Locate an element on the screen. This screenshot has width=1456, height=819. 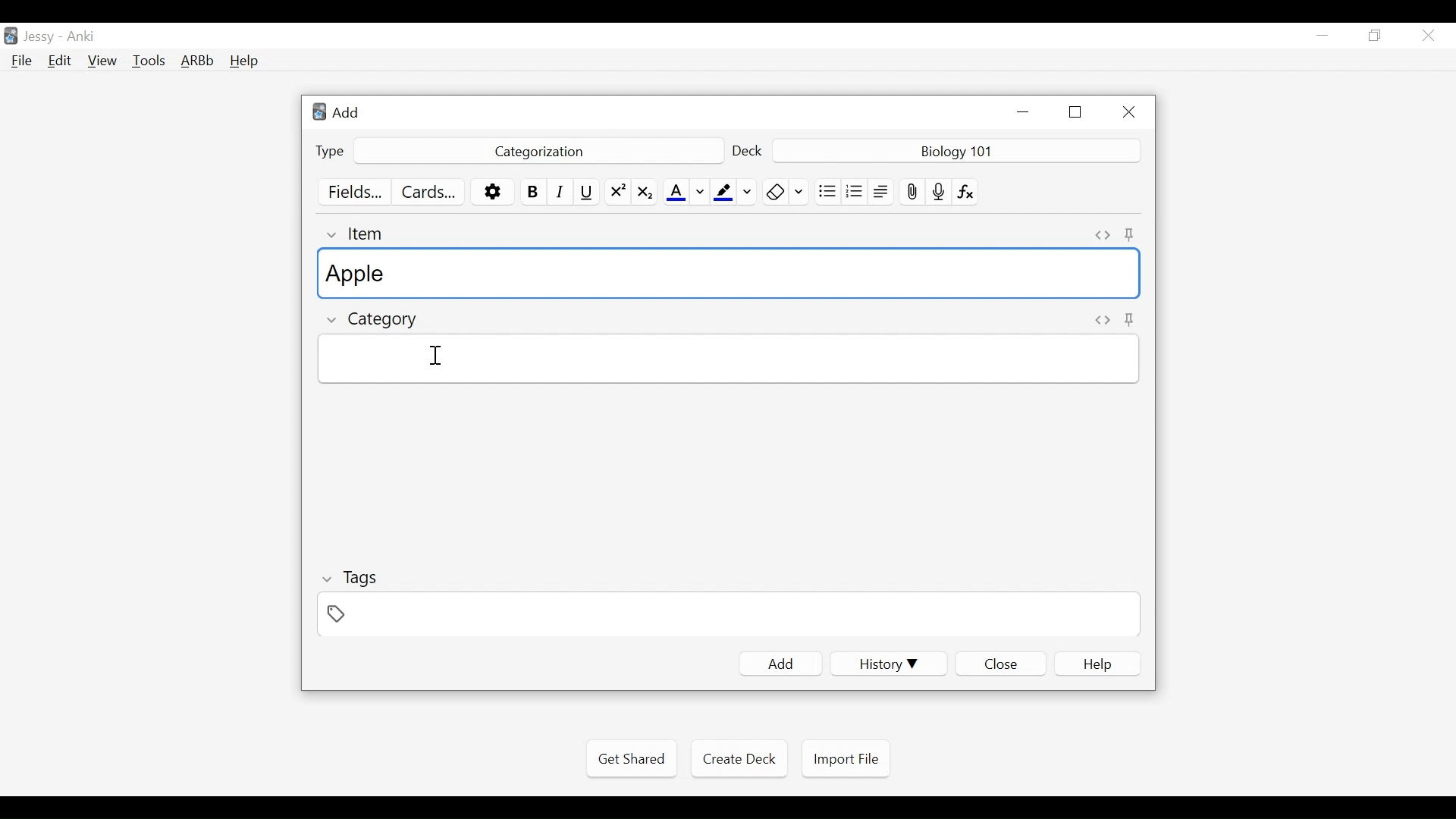
Add is located at coordinates (345, 111).